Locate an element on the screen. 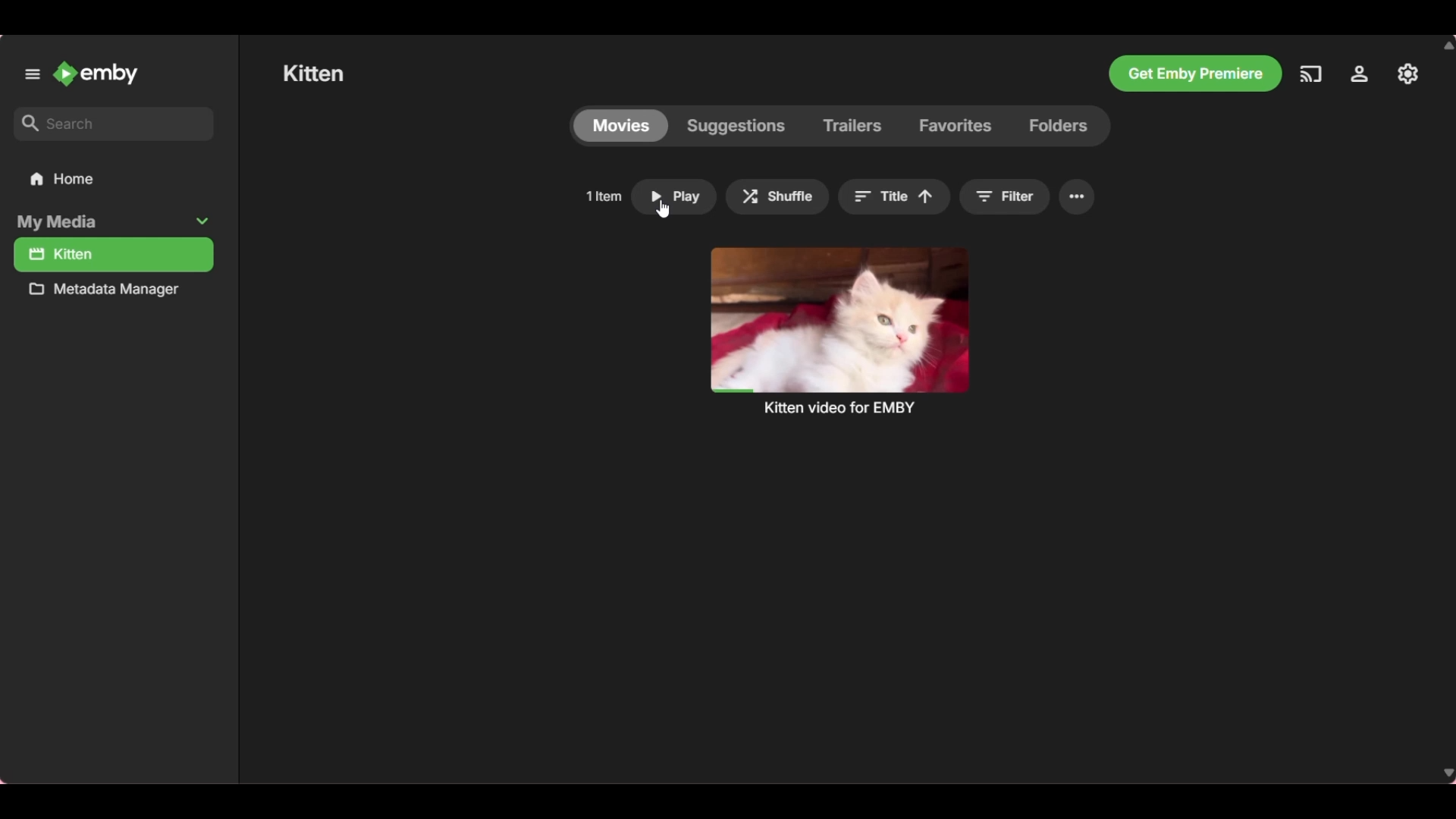 This screenshot has height=819, width=1456. Media name is located at coordinates (313, 72).